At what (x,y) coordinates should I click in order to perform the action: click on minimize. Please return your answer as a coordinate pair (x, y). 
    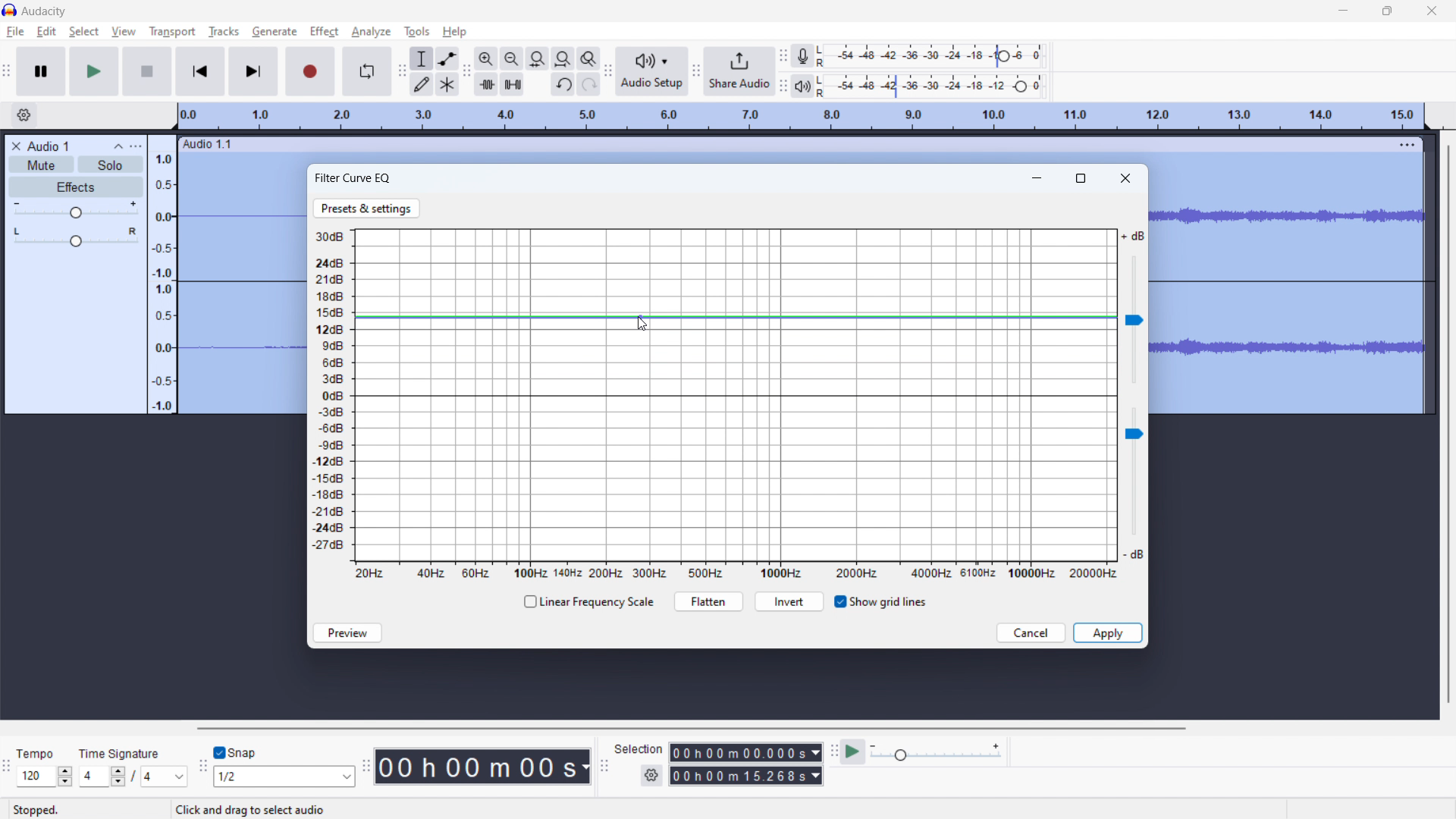
    Looking at the image, I should click on (1039, 176).